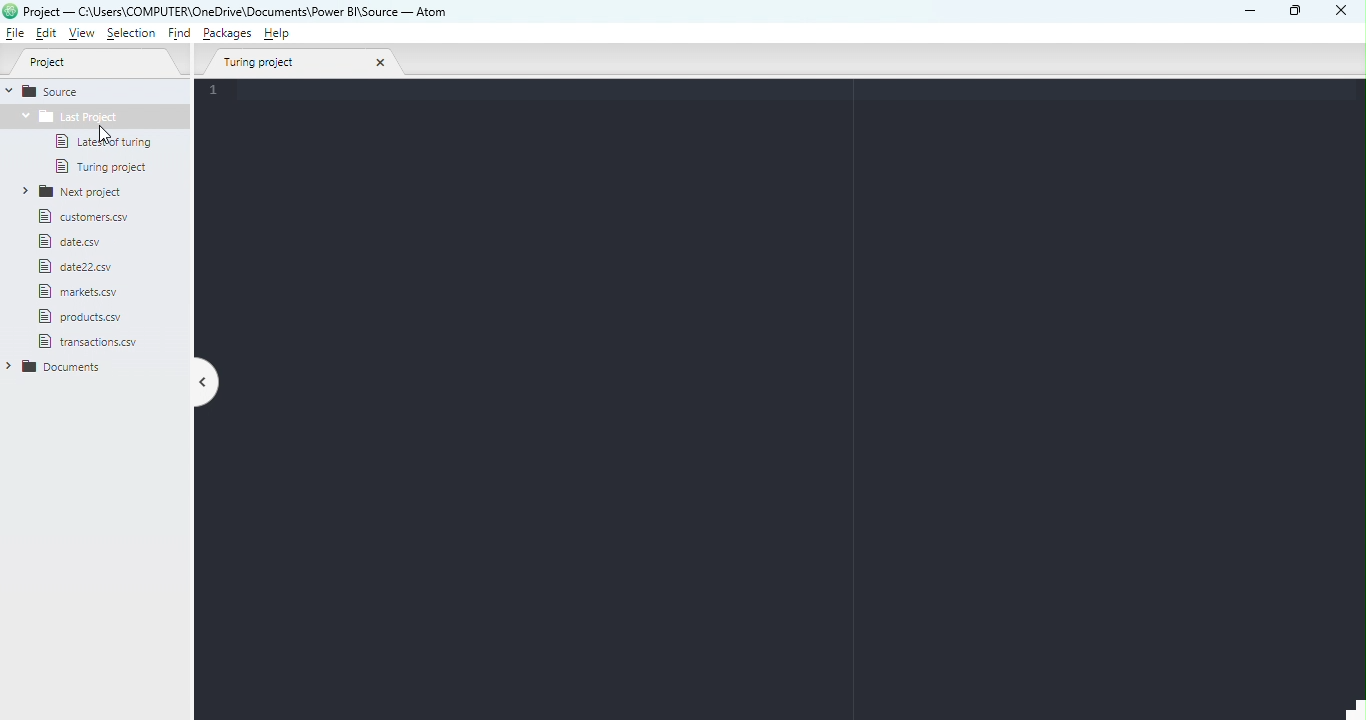 This screenshot has height=720, width=1366. I want to click on Find, so click(181, 35).